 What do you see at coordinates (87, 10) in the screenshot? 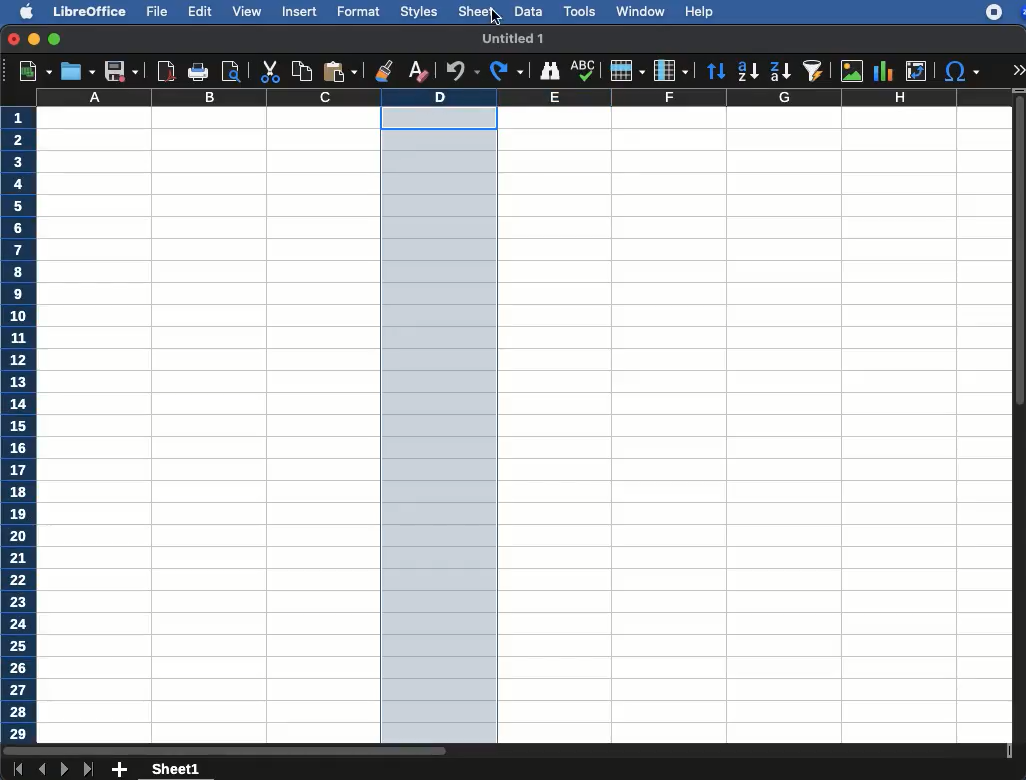
I see `libreoffice` at bounding box center [87, 10].